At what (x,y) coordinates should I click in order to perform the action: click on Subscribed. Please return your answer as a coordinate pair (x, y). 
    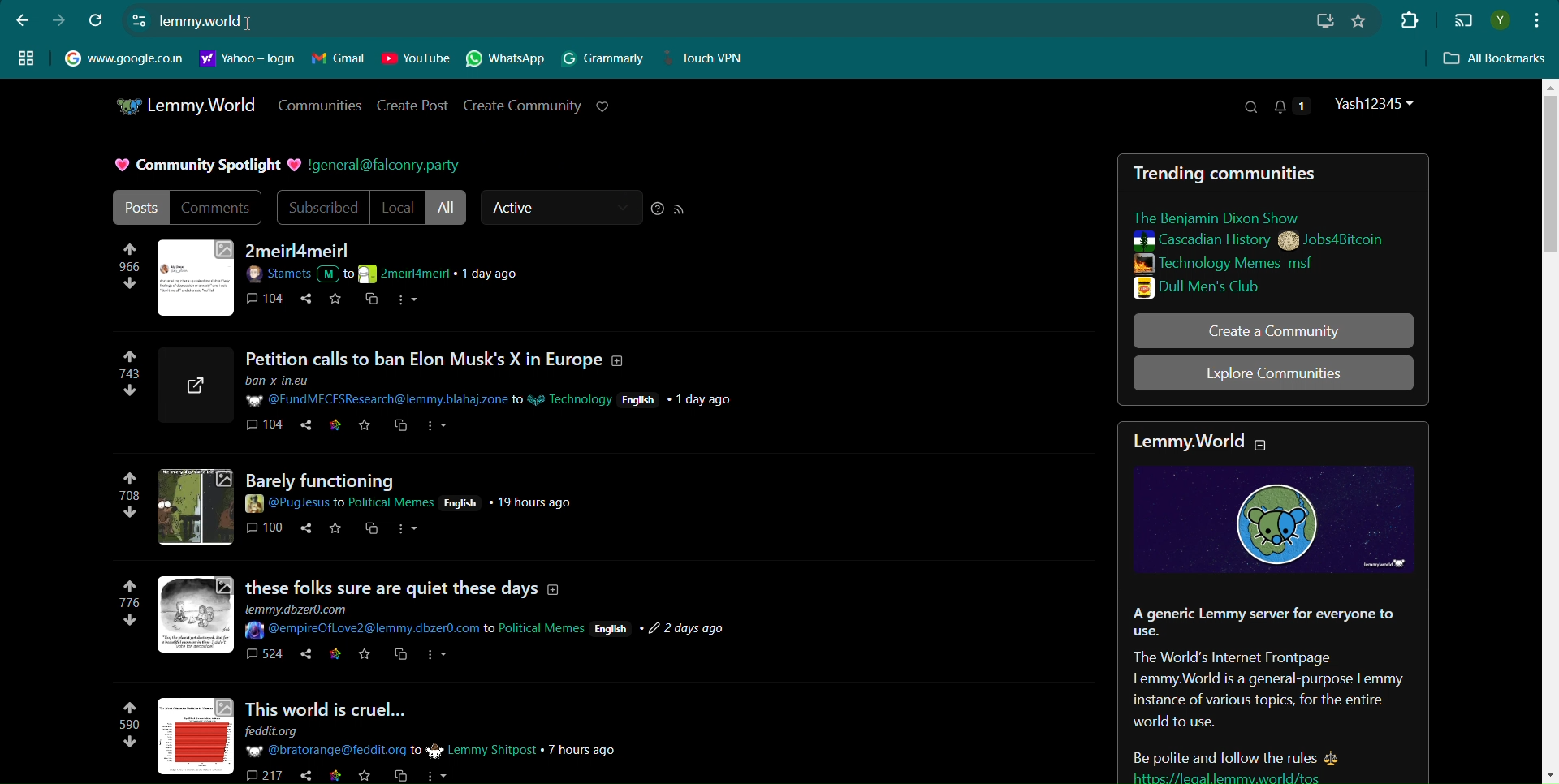
    Looking at the image, I should click on (321, 208).